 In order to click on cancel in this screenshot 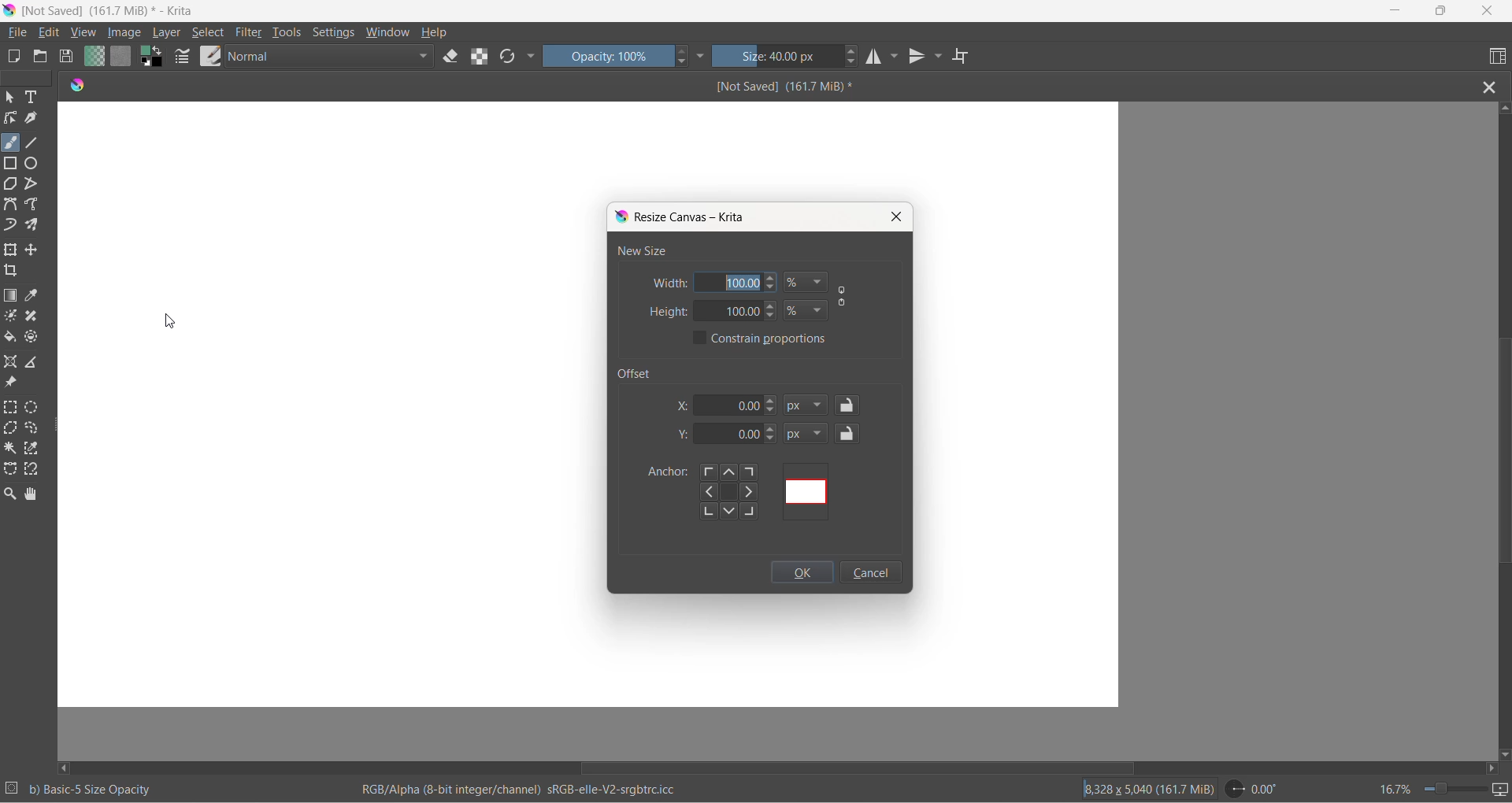, I will do `click(870, 574)`.